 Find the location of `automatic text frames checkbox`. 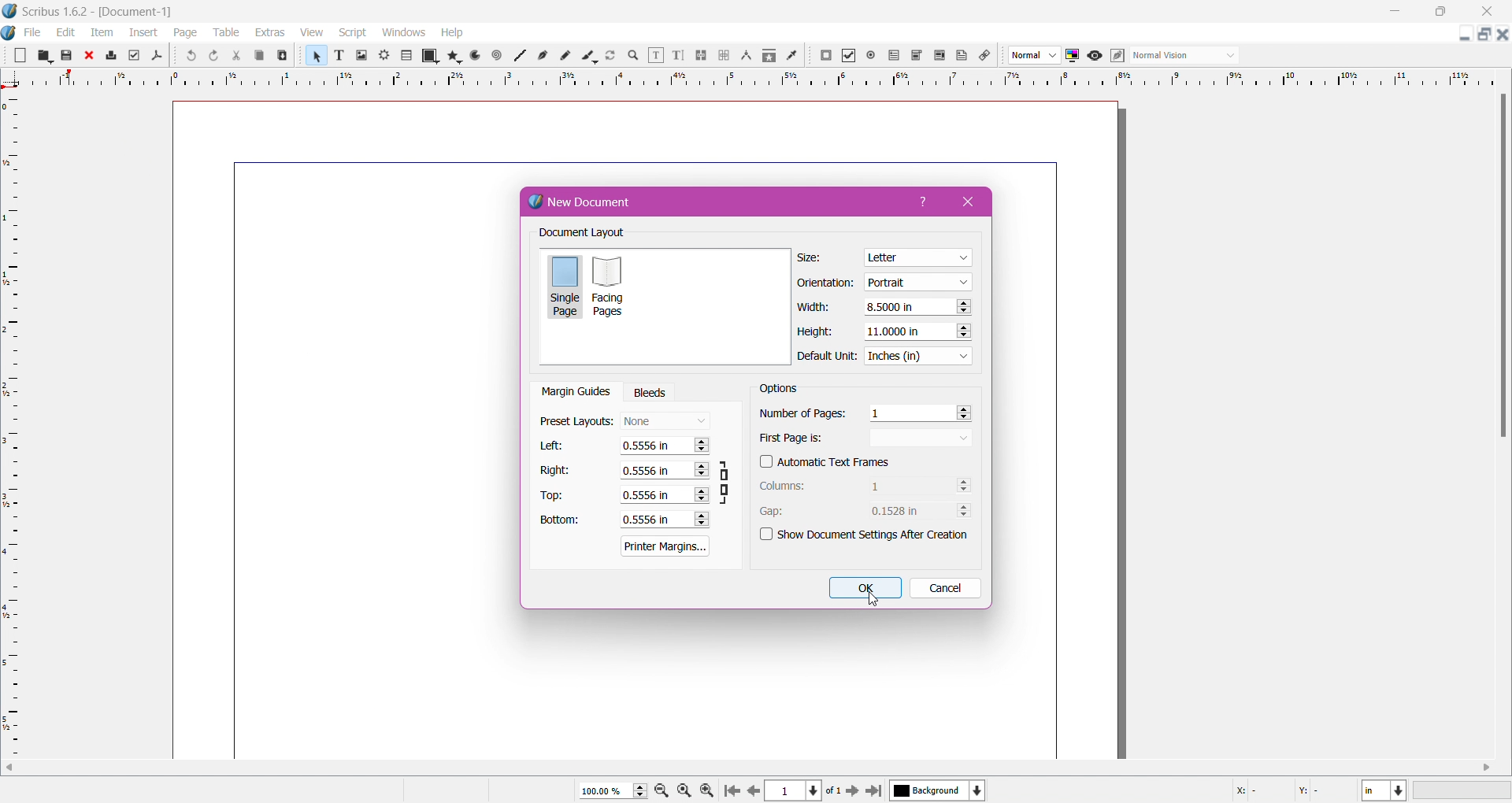

automatic text frames checkbox is located at coordinates (839, 462).